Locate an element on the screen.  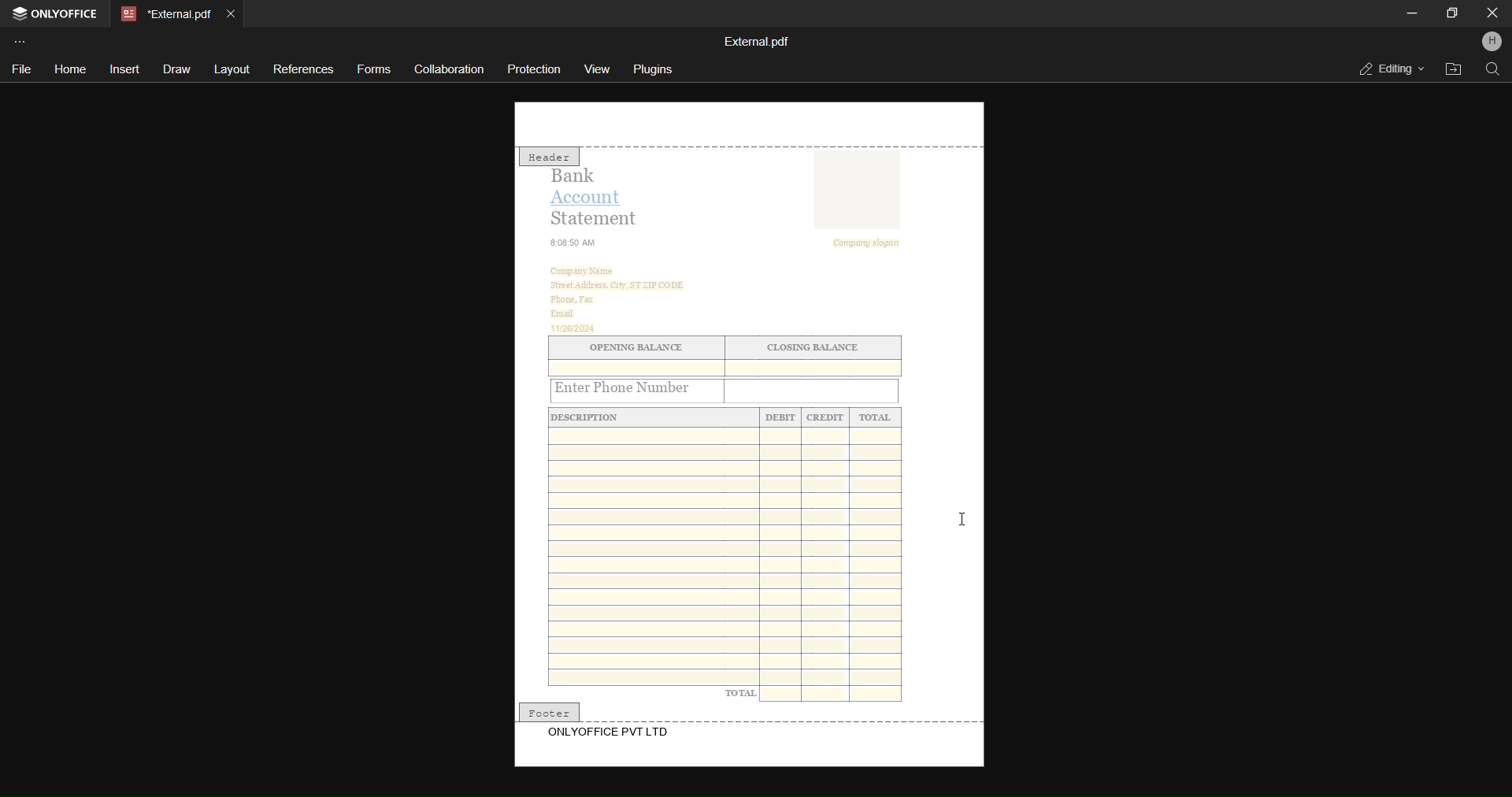
TOTAL  is located at coordinates (740, 692).